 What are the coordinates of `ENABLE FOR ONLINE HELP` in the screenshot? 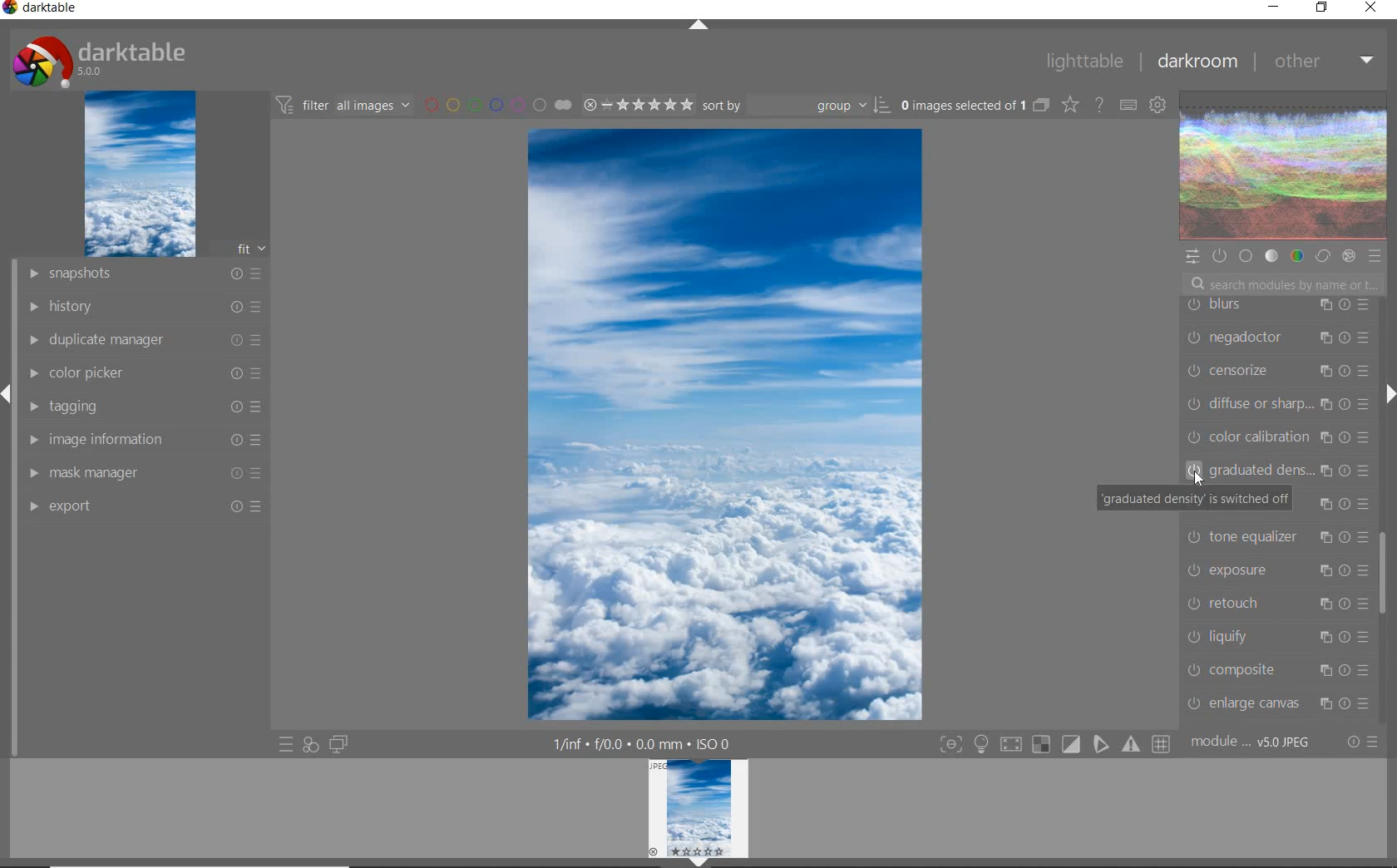 It's located at (1098, 104).